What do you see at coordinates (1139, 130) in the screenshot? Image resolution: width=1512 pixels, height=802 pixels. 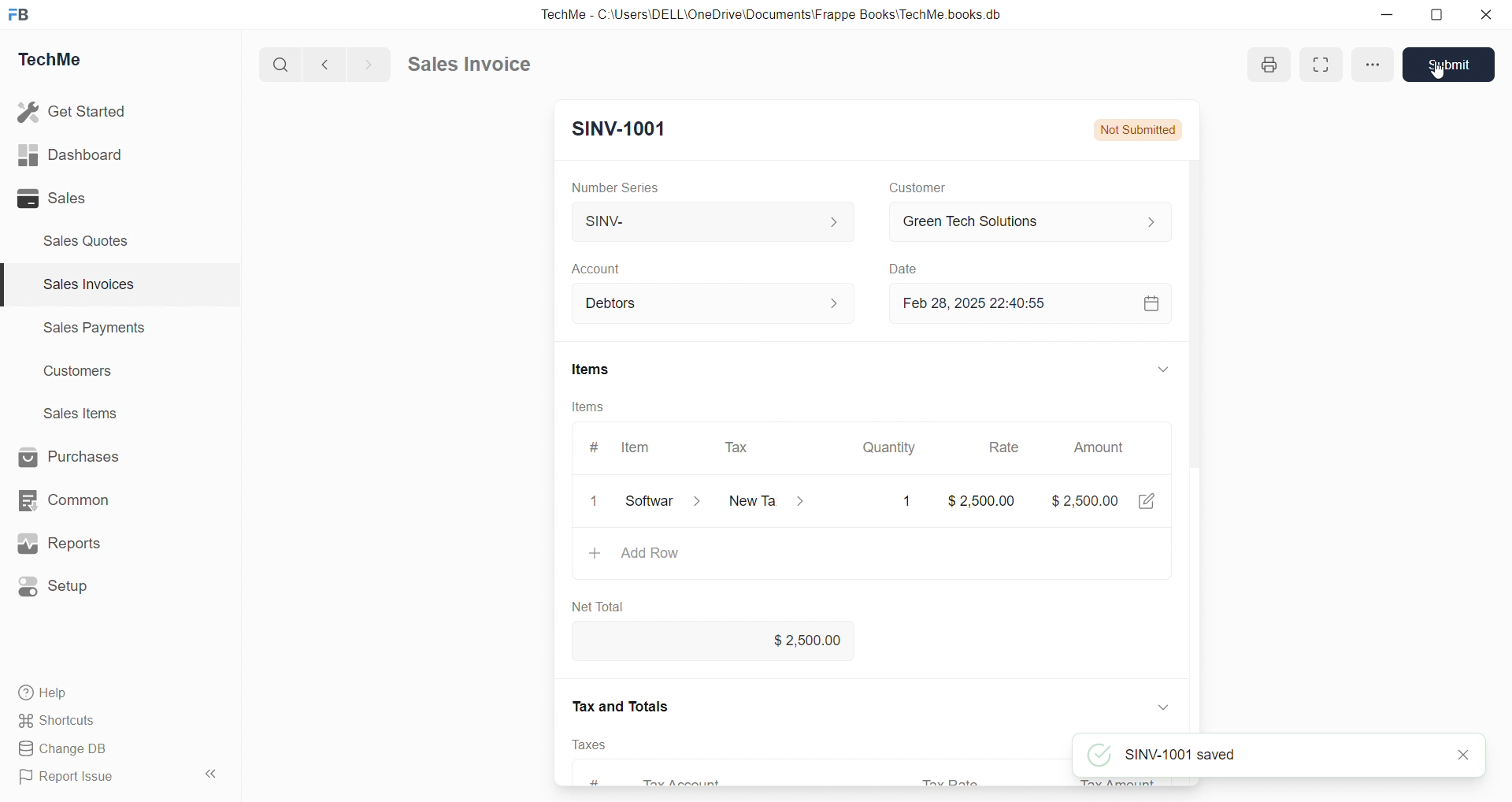 I see `Not Submitted` at bounding box center [1139, 130].